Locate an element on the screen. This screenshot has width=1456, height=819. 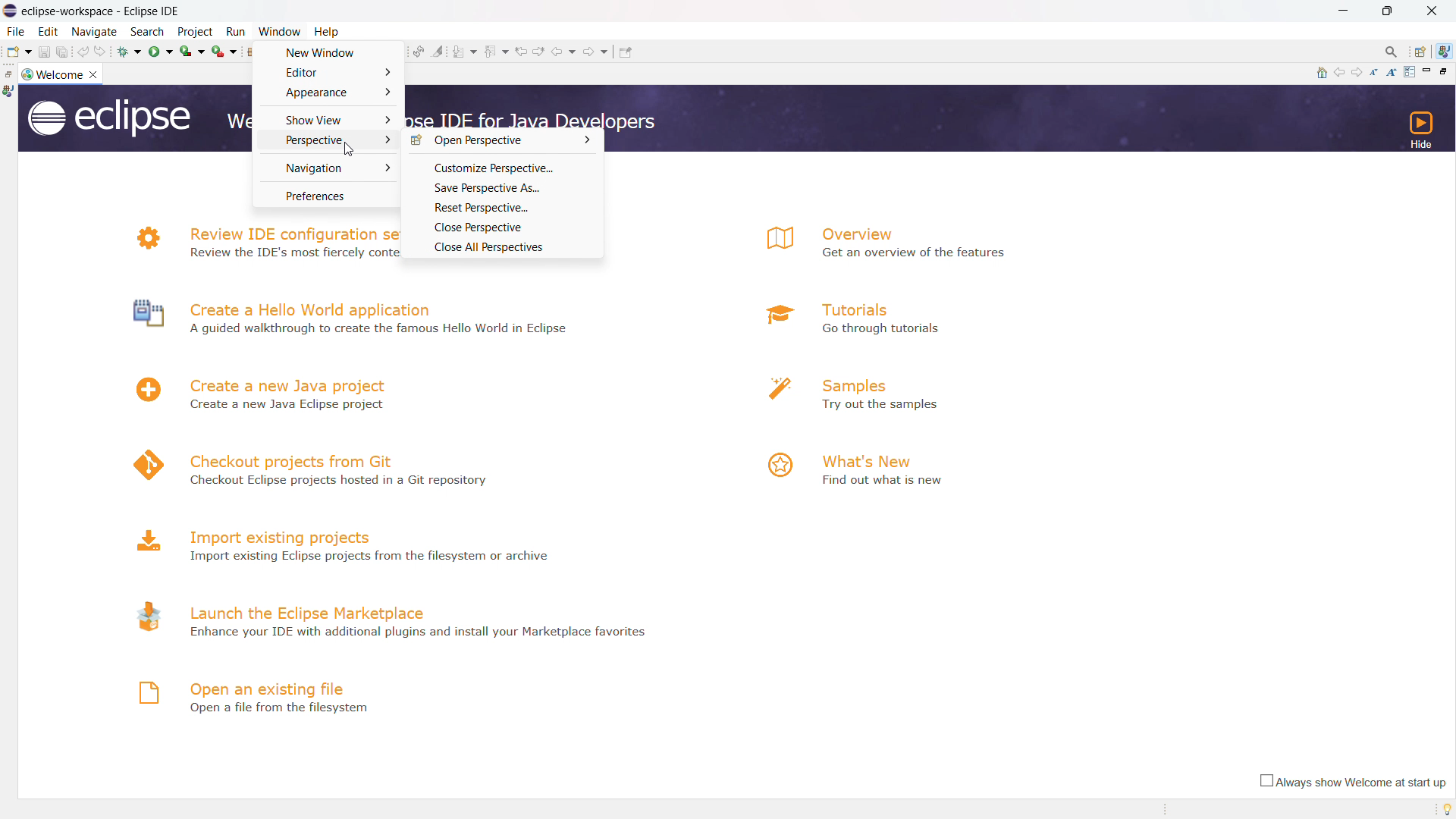
A guided walkthrough to create the famous Hello World in Eclipse is located at coordinates (381, 328).